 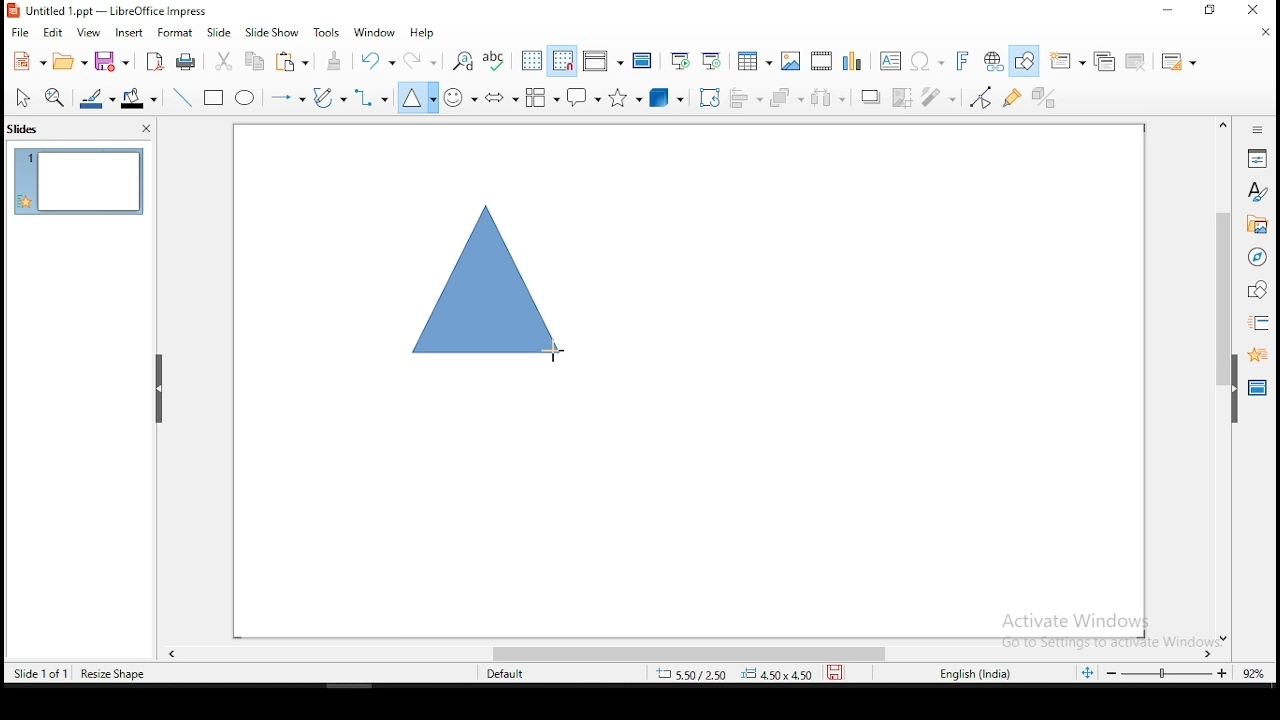 I want to click on spell check, so click(x=497, y=61).